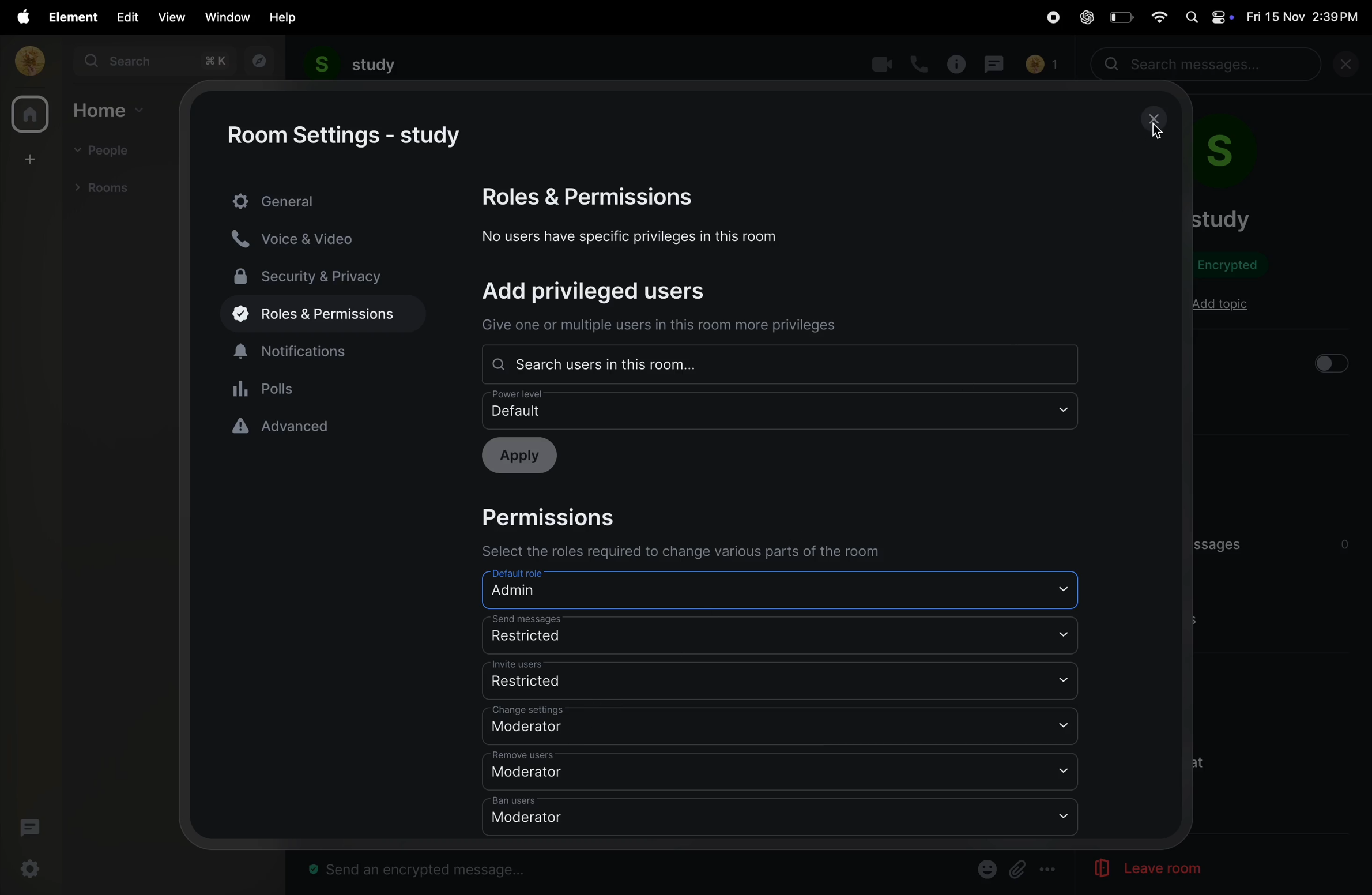 Image resolution: width=1372 pixels, height=895 pixels. I want to click on battery, so click(1120, 17).